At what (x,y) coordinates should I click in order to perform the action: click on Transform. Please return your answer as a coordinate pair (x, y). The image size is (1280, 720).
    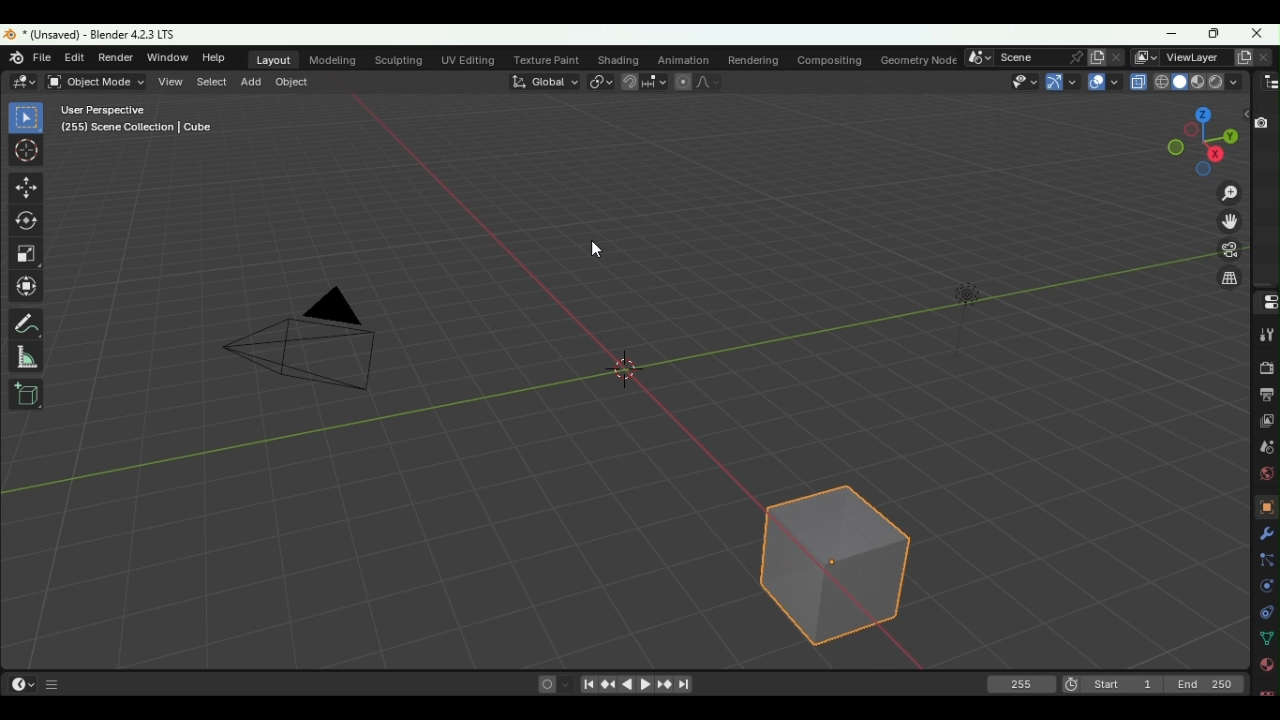
    Looking at the image, I should click on (34, 289).